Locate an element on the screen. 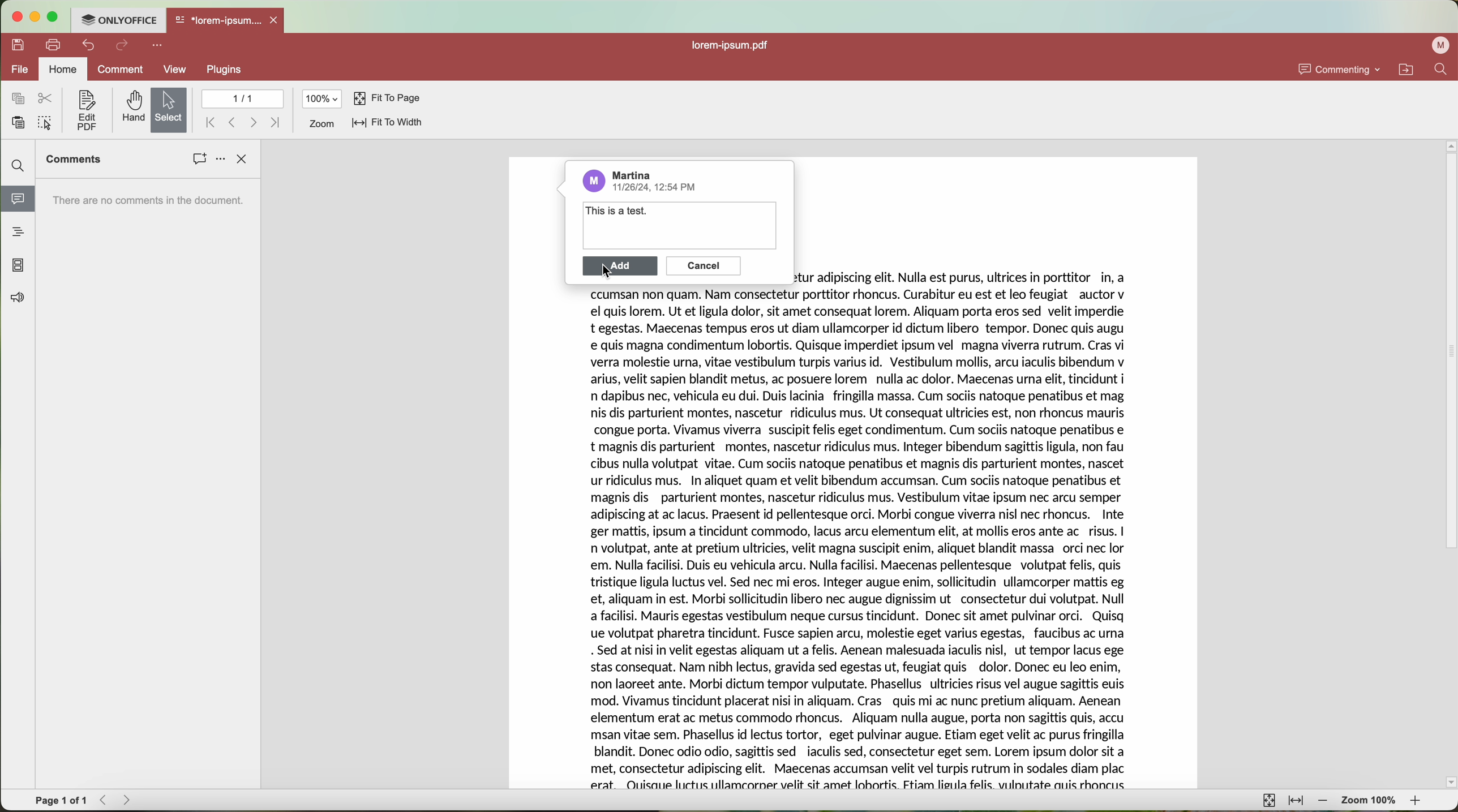  find is located at coordinates (20, 166).